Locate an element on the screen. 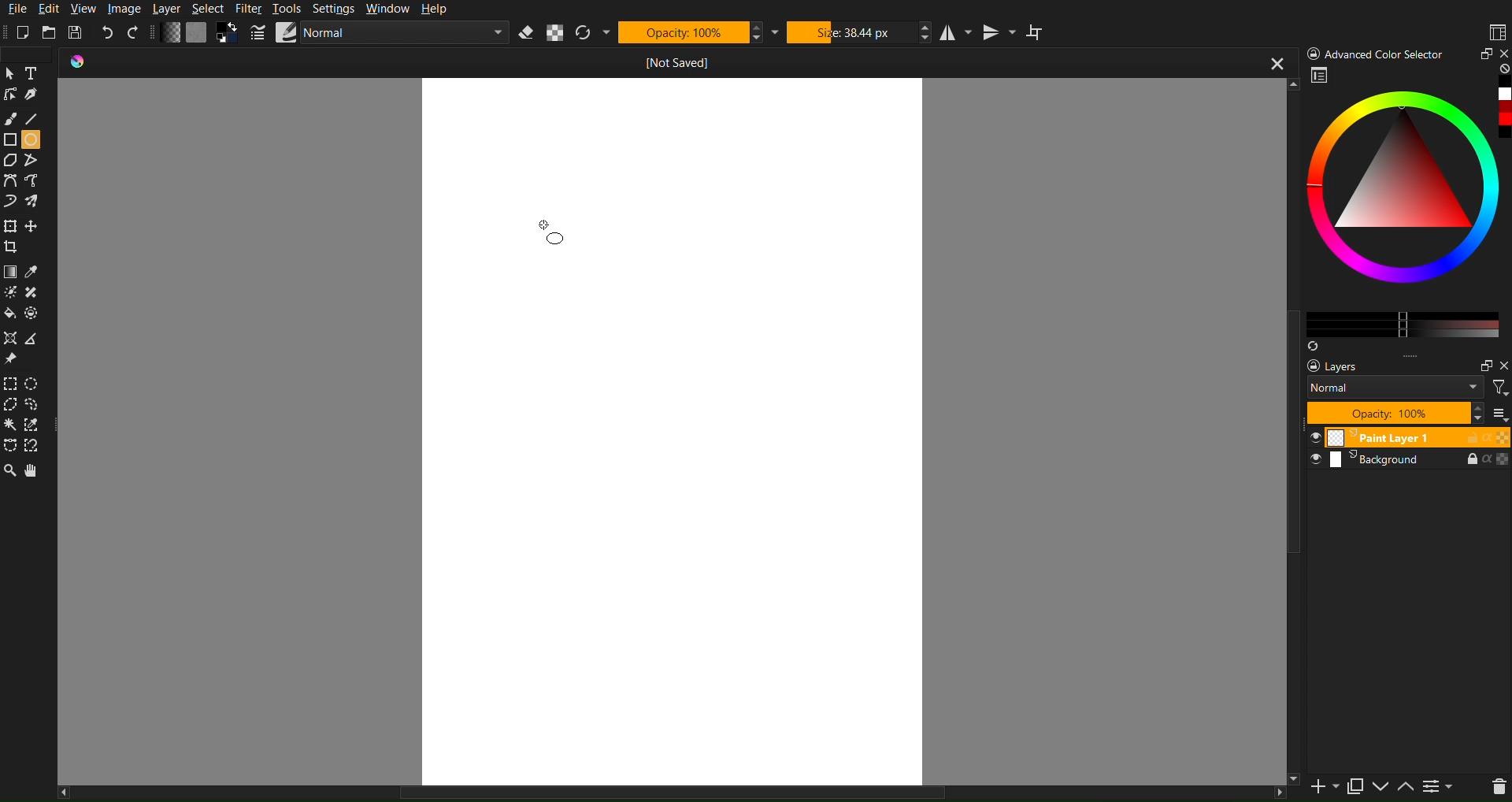 This screenshot has width=1512, height=802. Color fill is located at coordinates (9, 315).